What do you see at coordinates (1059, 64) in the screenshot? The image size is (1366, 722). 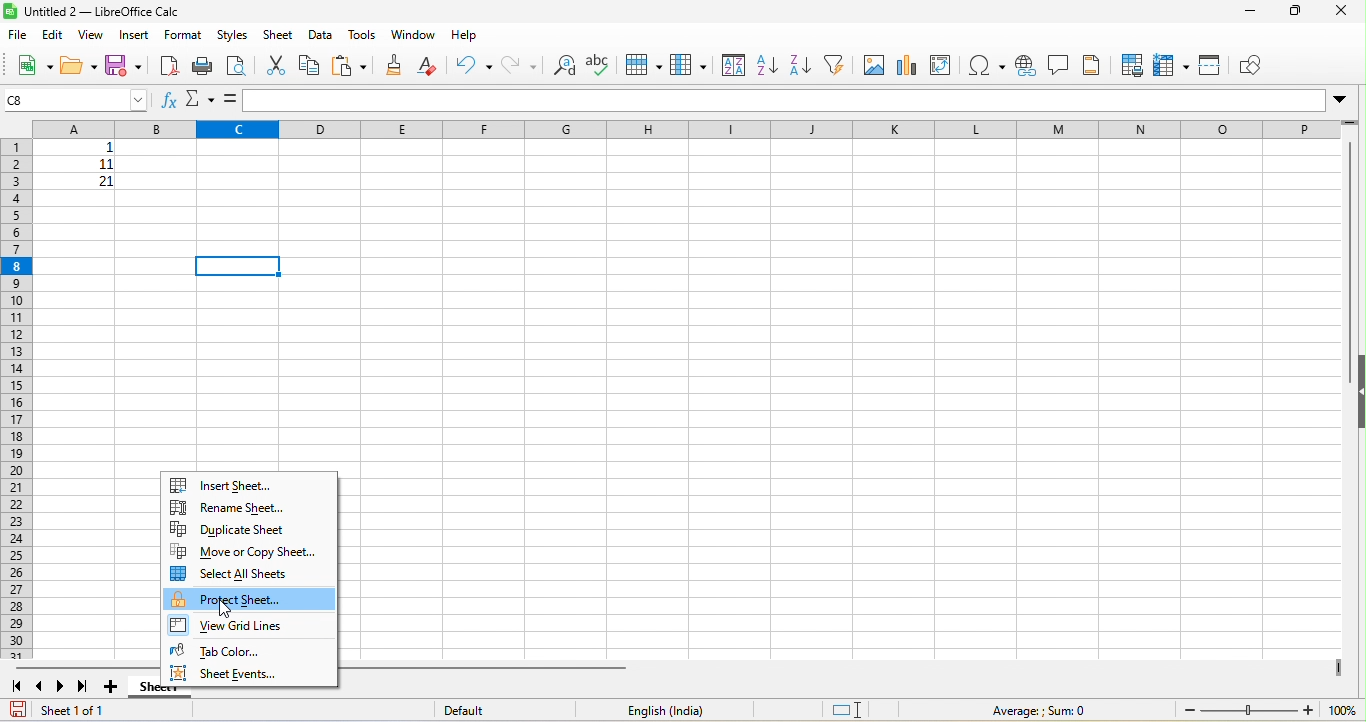 I see `comments` at bounding box center [1059, 64].